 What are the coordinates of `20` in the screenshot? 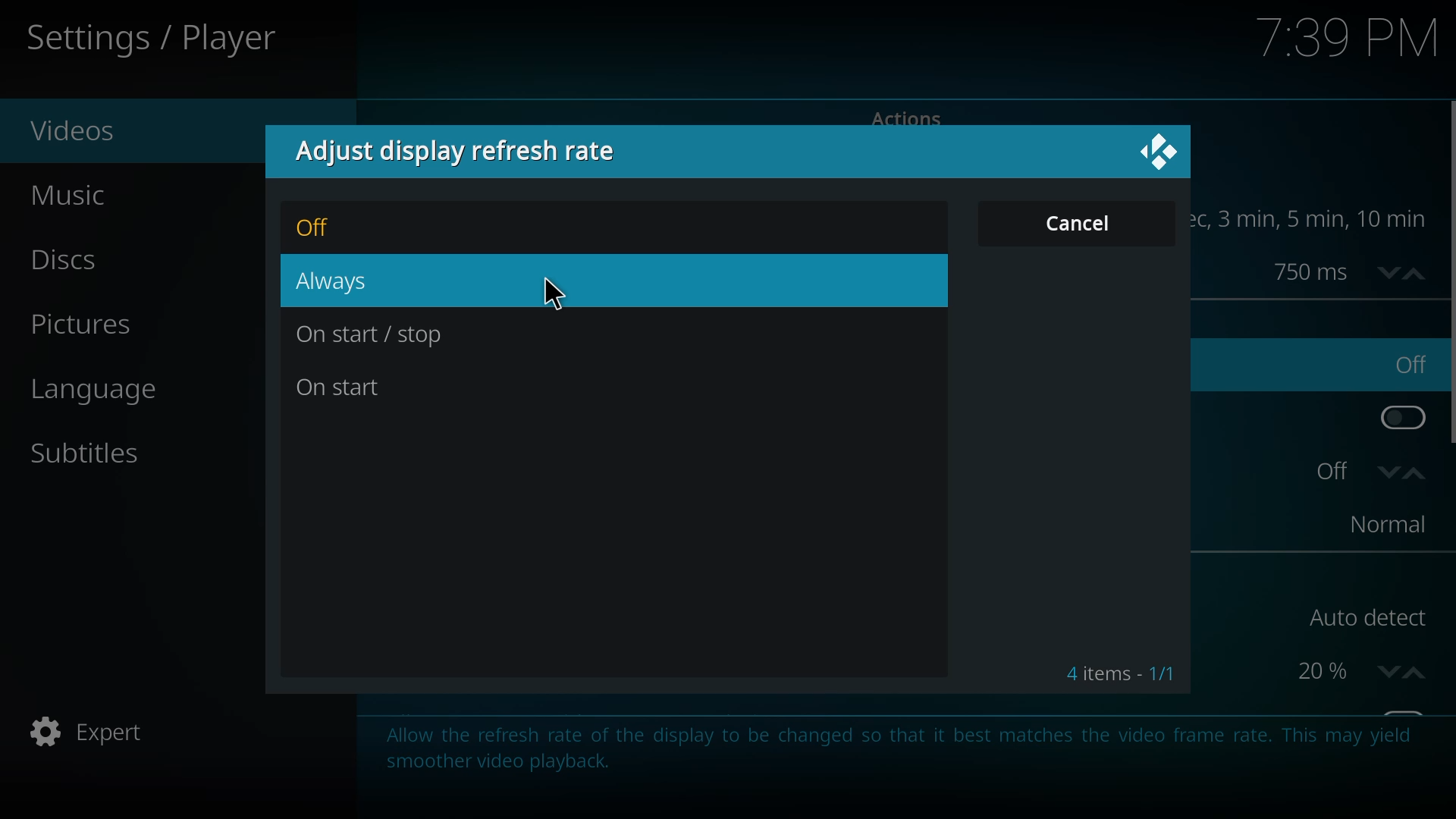 It's located at (1356, 670).